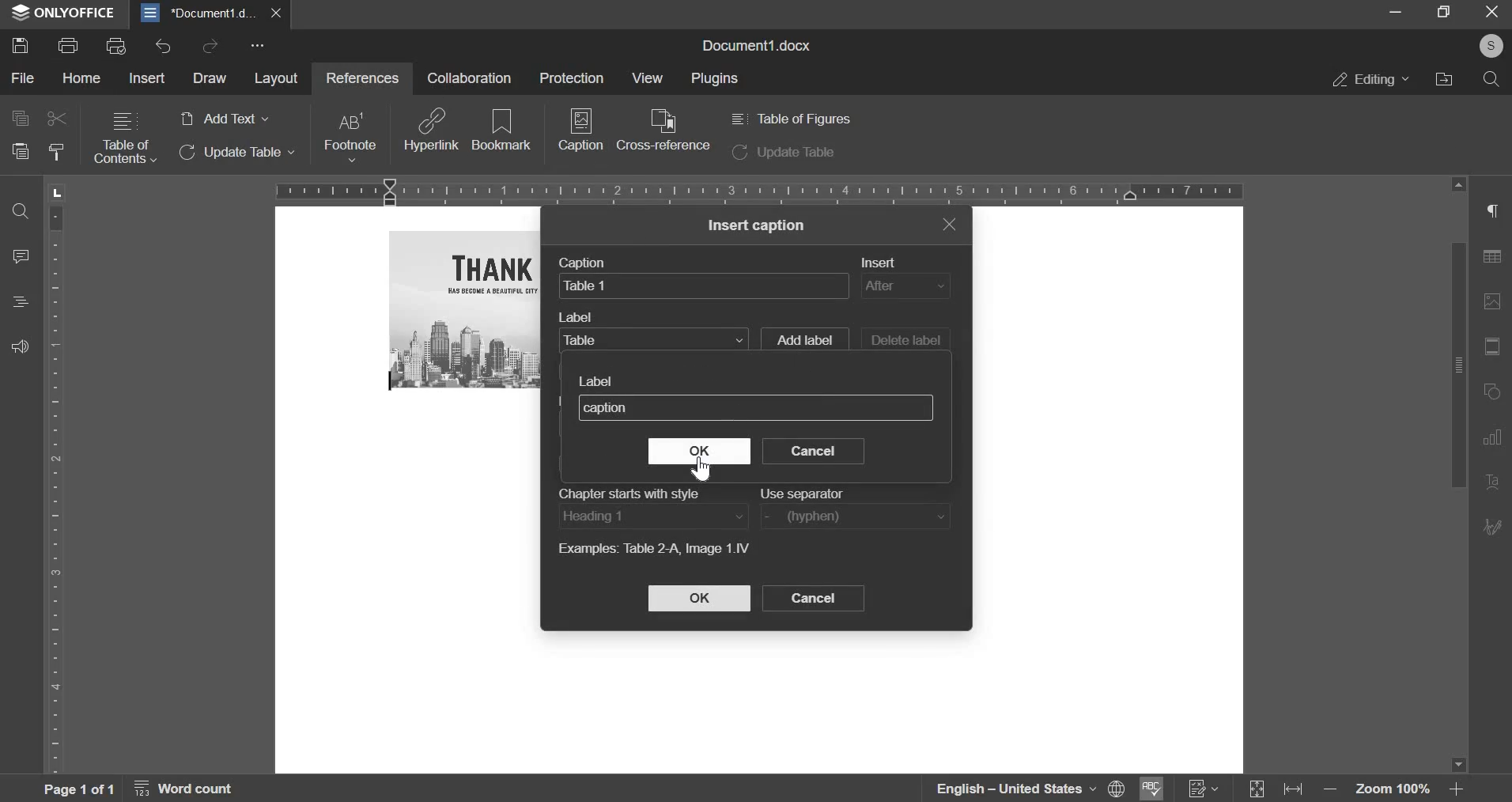  What do you see at coordinates (467, 309) in the screenshot?
I see `image` at bounding box center [467, 309].